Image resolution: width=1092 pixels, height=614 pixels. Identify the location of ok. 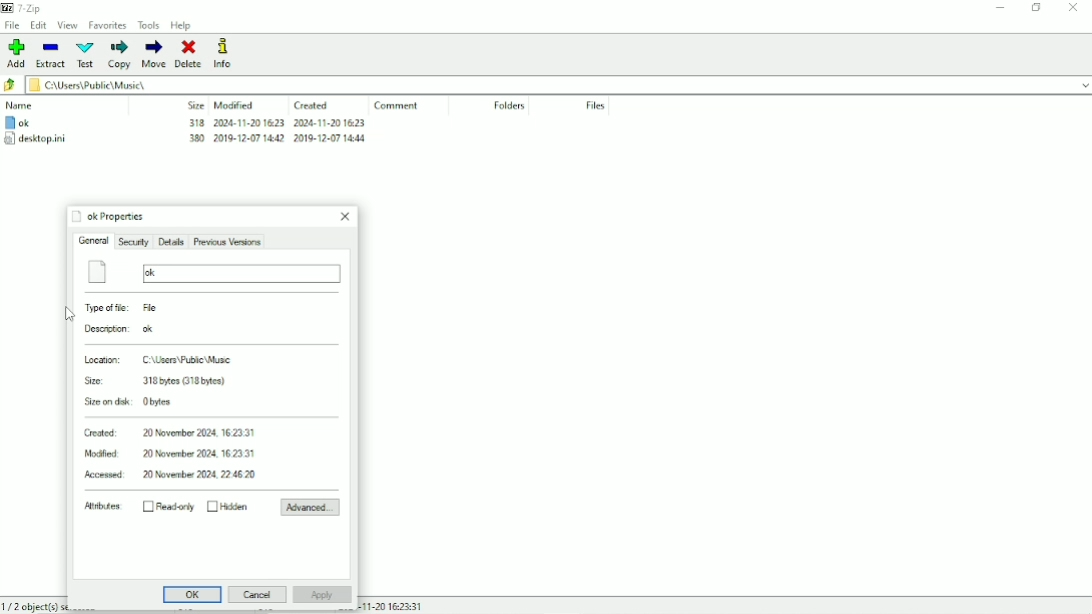
(215, 272).